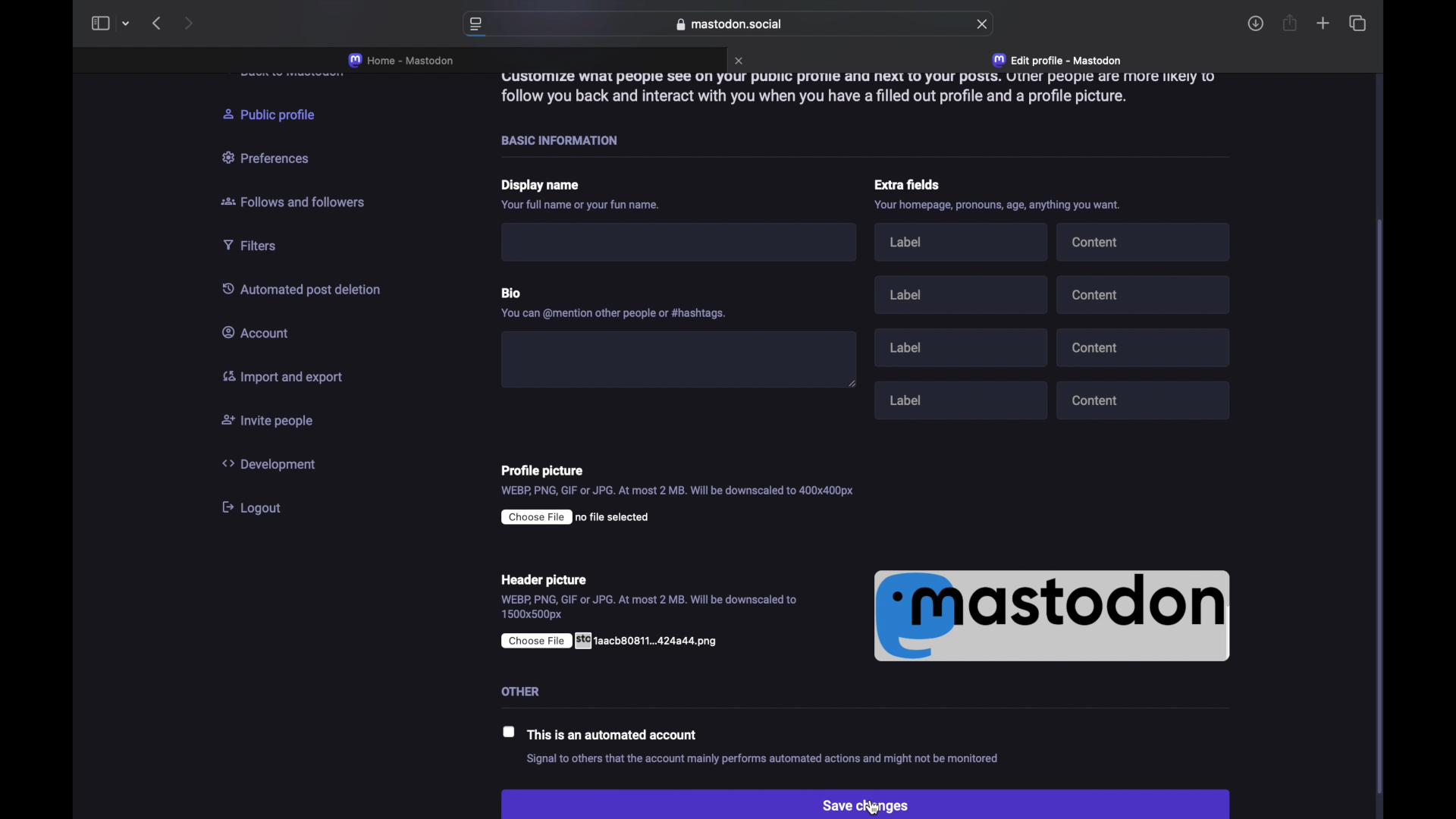  What do you see at coordinates (504, 733) in the screenshot?
I see `check box` at bounding box center [504, 733].